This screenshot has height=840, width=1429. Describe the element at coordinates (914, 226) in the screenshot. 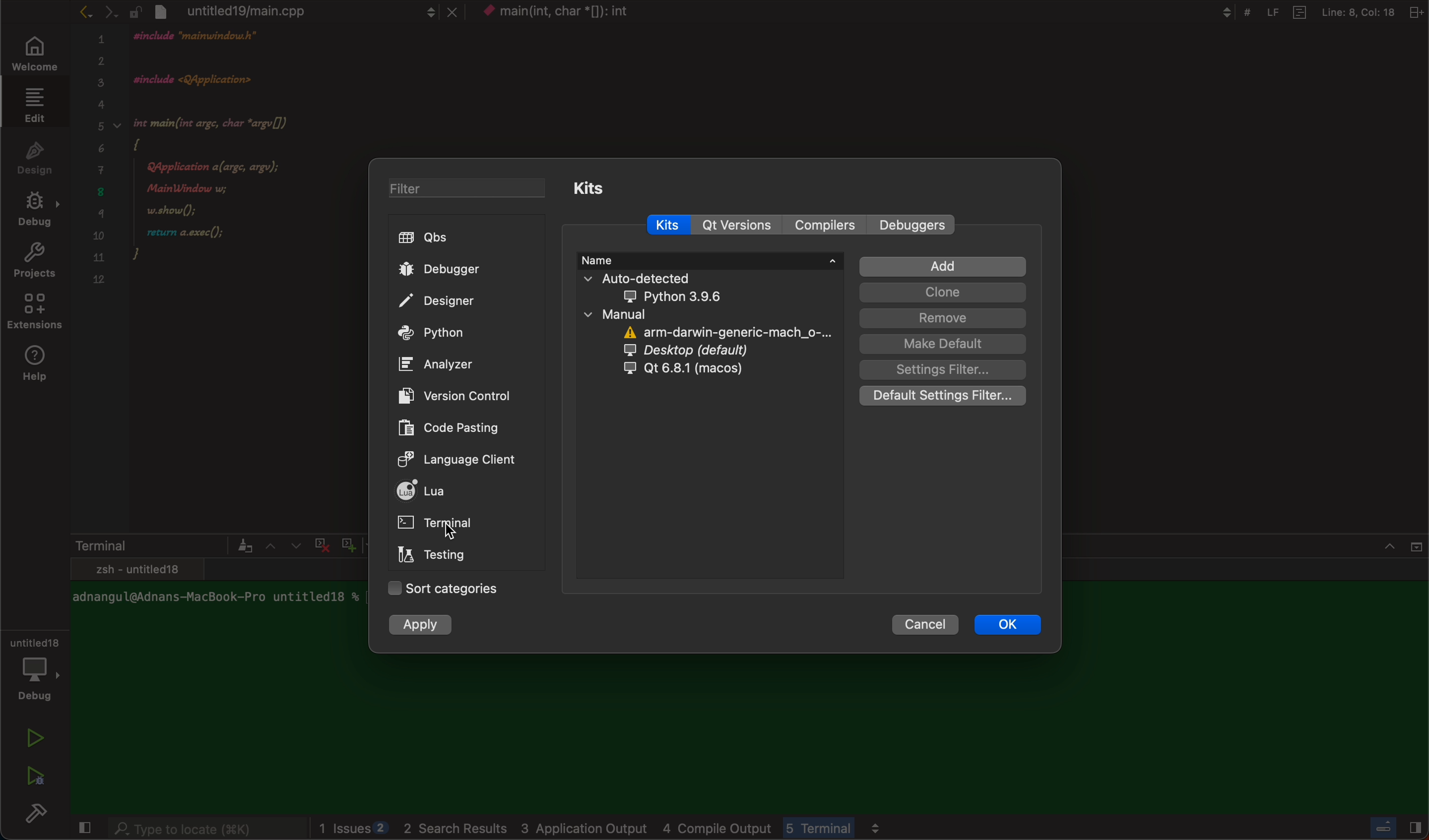

I see `debuggers` at that location.